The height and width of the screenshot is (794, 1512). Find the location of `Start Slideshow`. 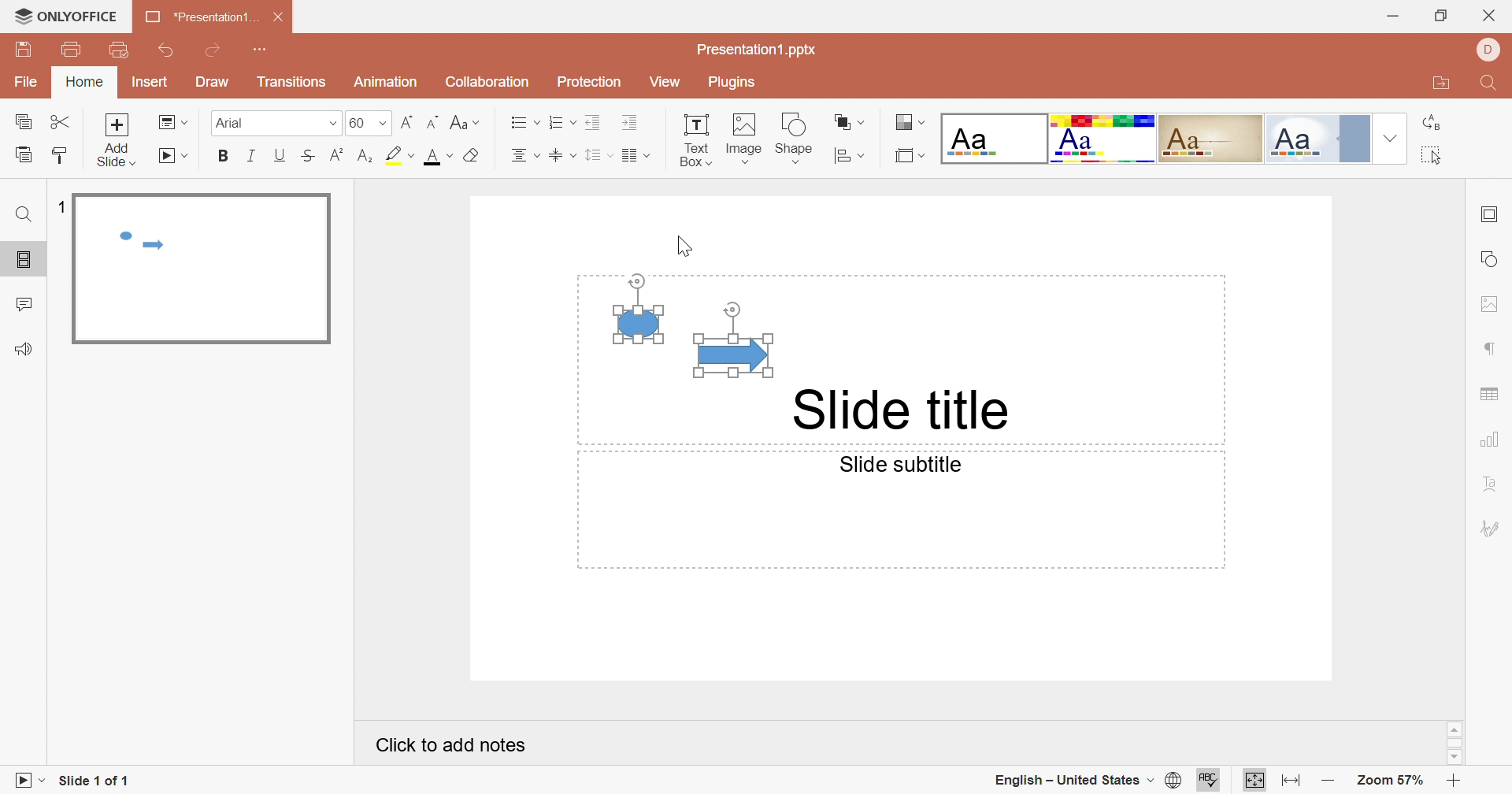

Start Slideshow is located at coordinates (23, 781).